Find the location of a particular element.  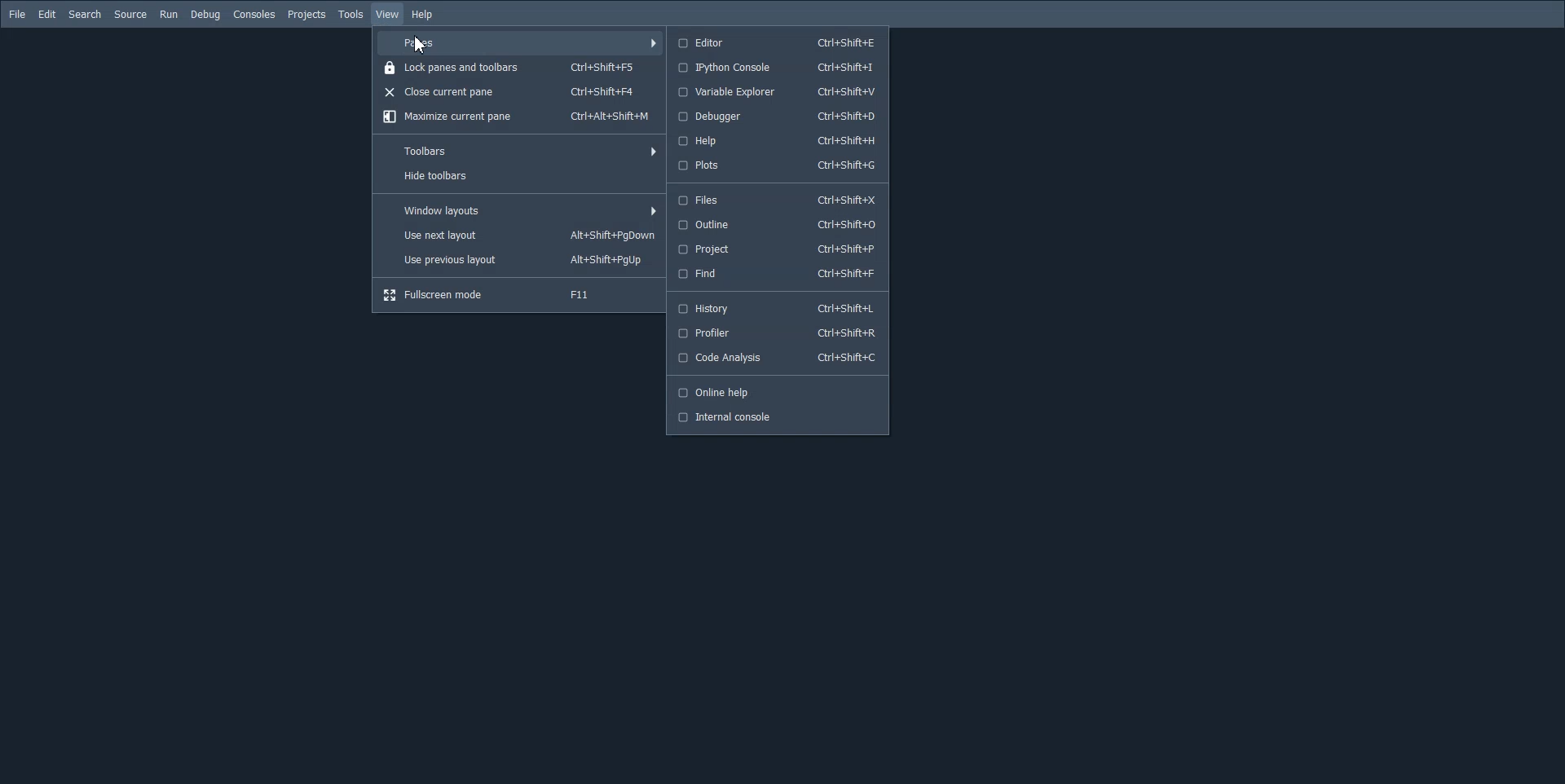

View is located at coordinates (388, 15).